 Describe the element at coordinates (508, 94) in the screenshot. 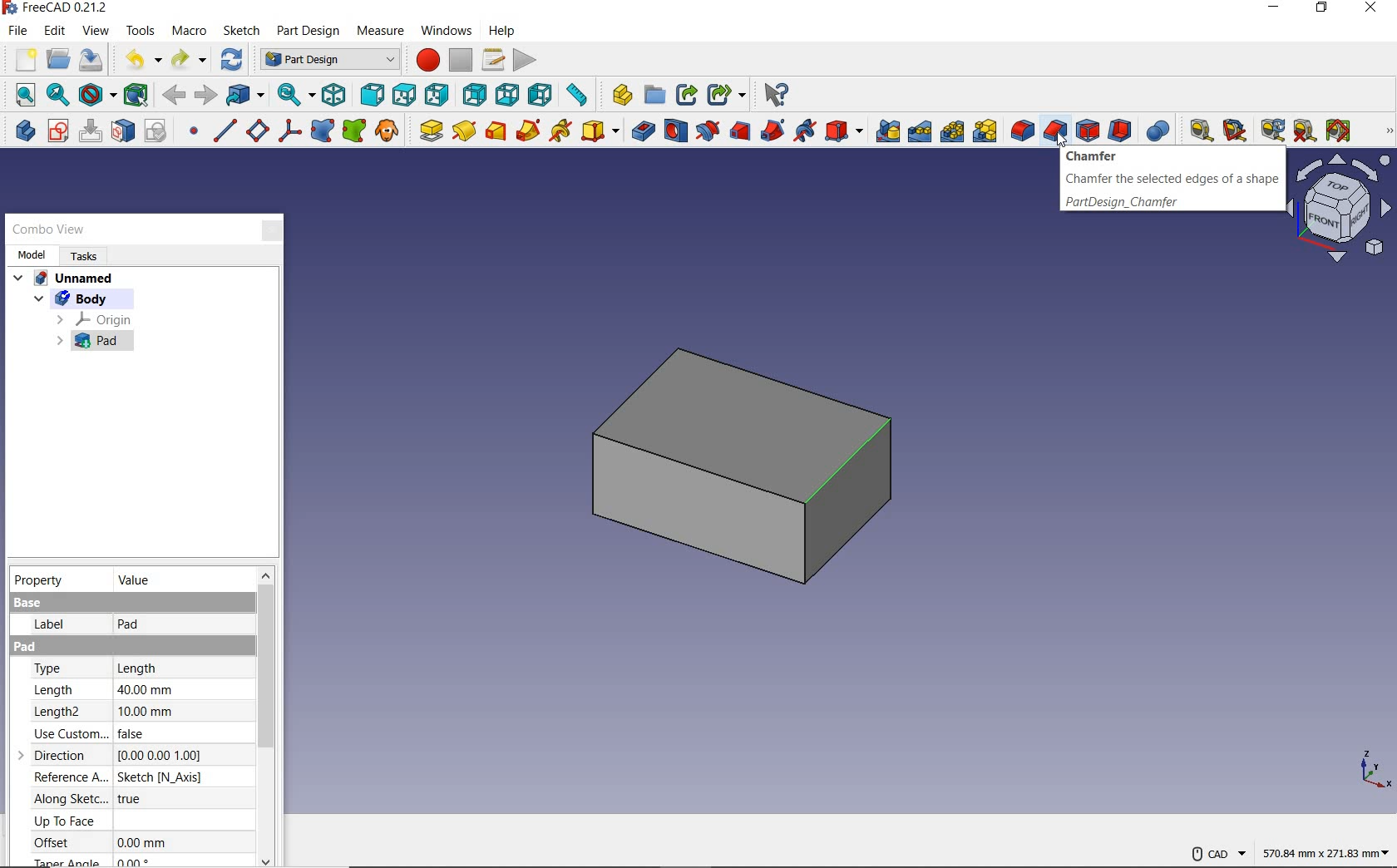

I see `bottom` at that location.